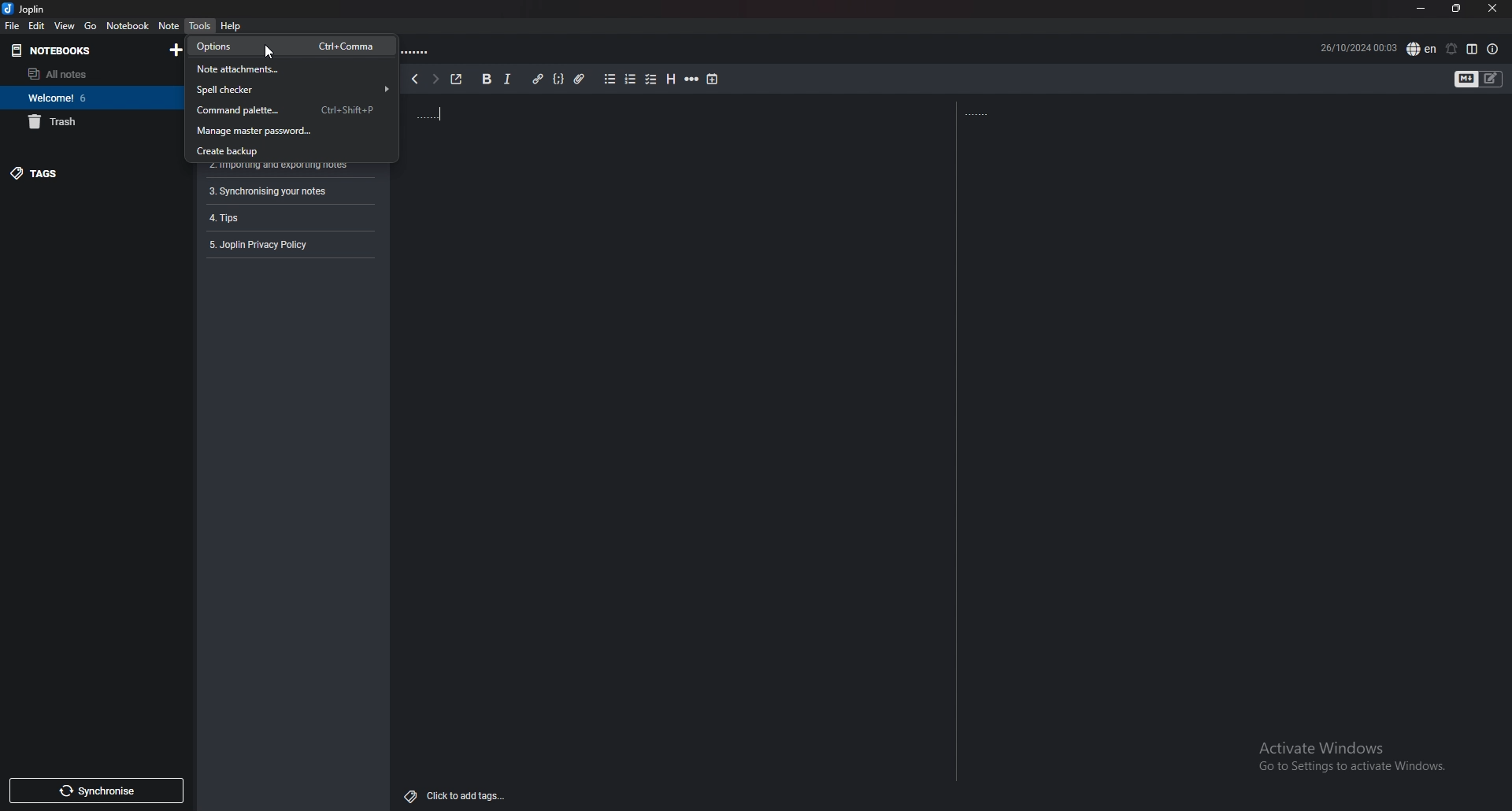 The width and height of the screenshot is (1512, 811). What do you see at coordinates (269, 52) in the screenshot?
I see `cursor` at bounding box center [269, 52].